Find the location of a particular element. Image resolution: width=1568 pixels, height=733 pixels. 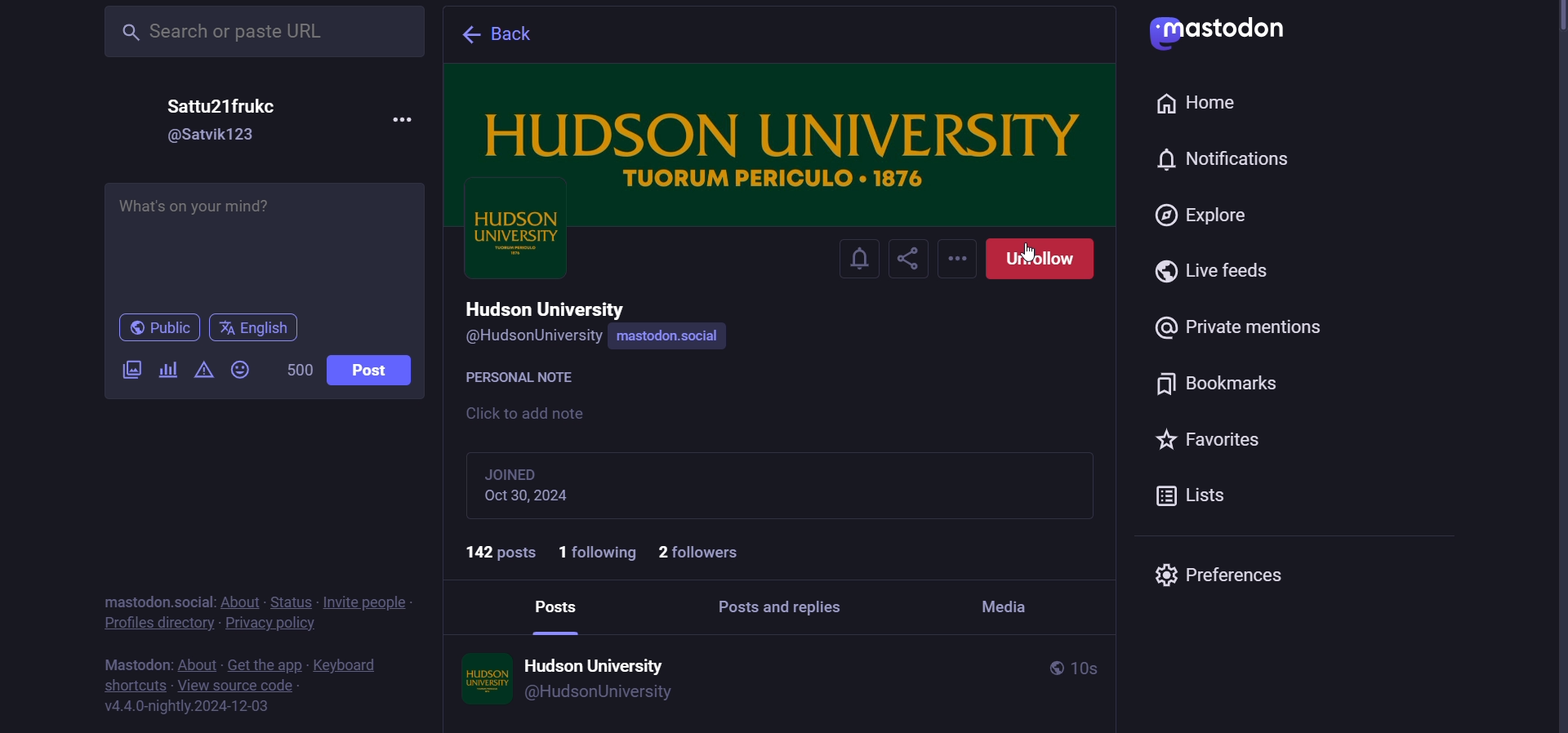

poll is located at coordinates (167, 371).